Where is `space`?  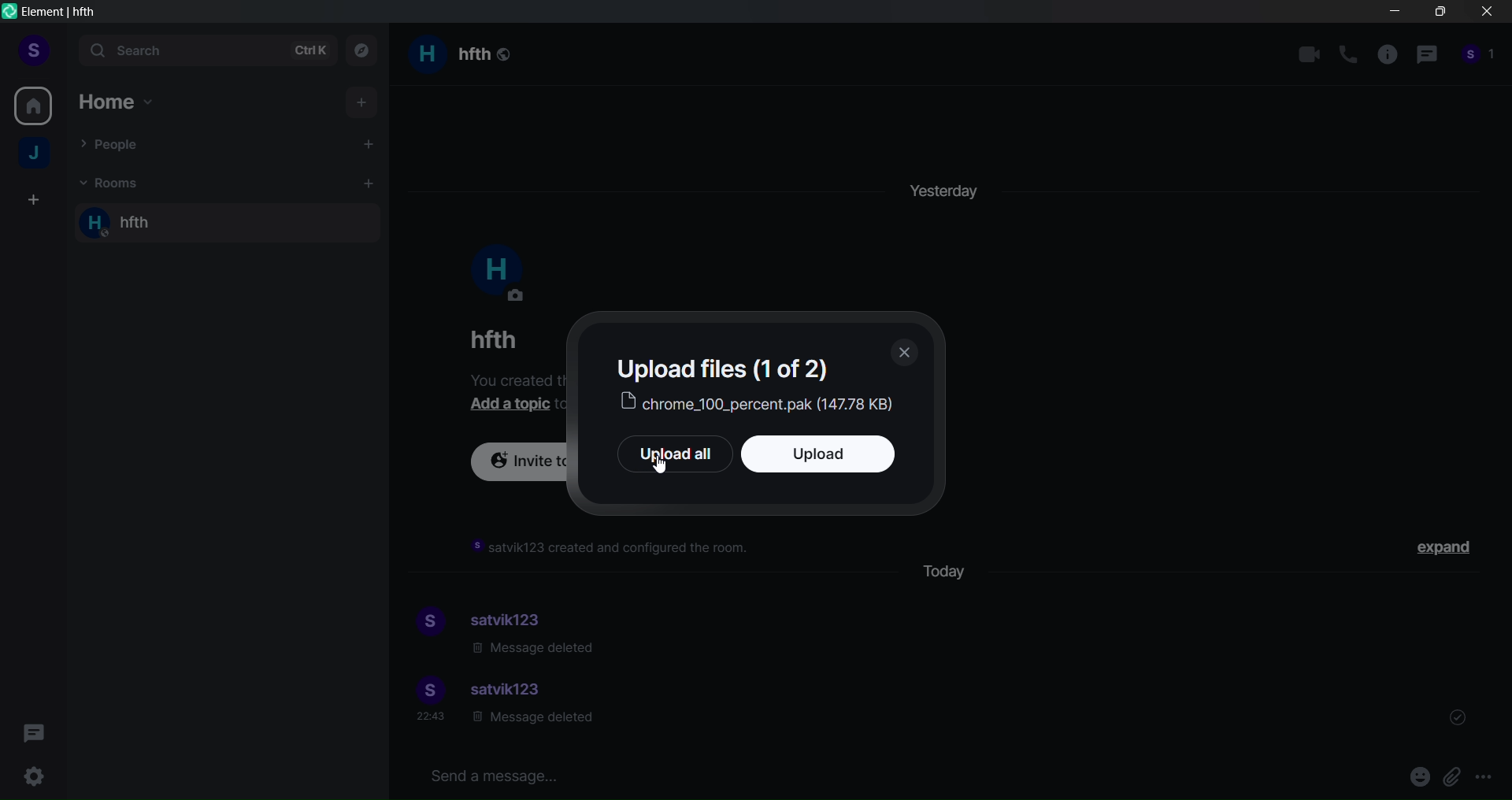
space is located at coordinates (36, 155).